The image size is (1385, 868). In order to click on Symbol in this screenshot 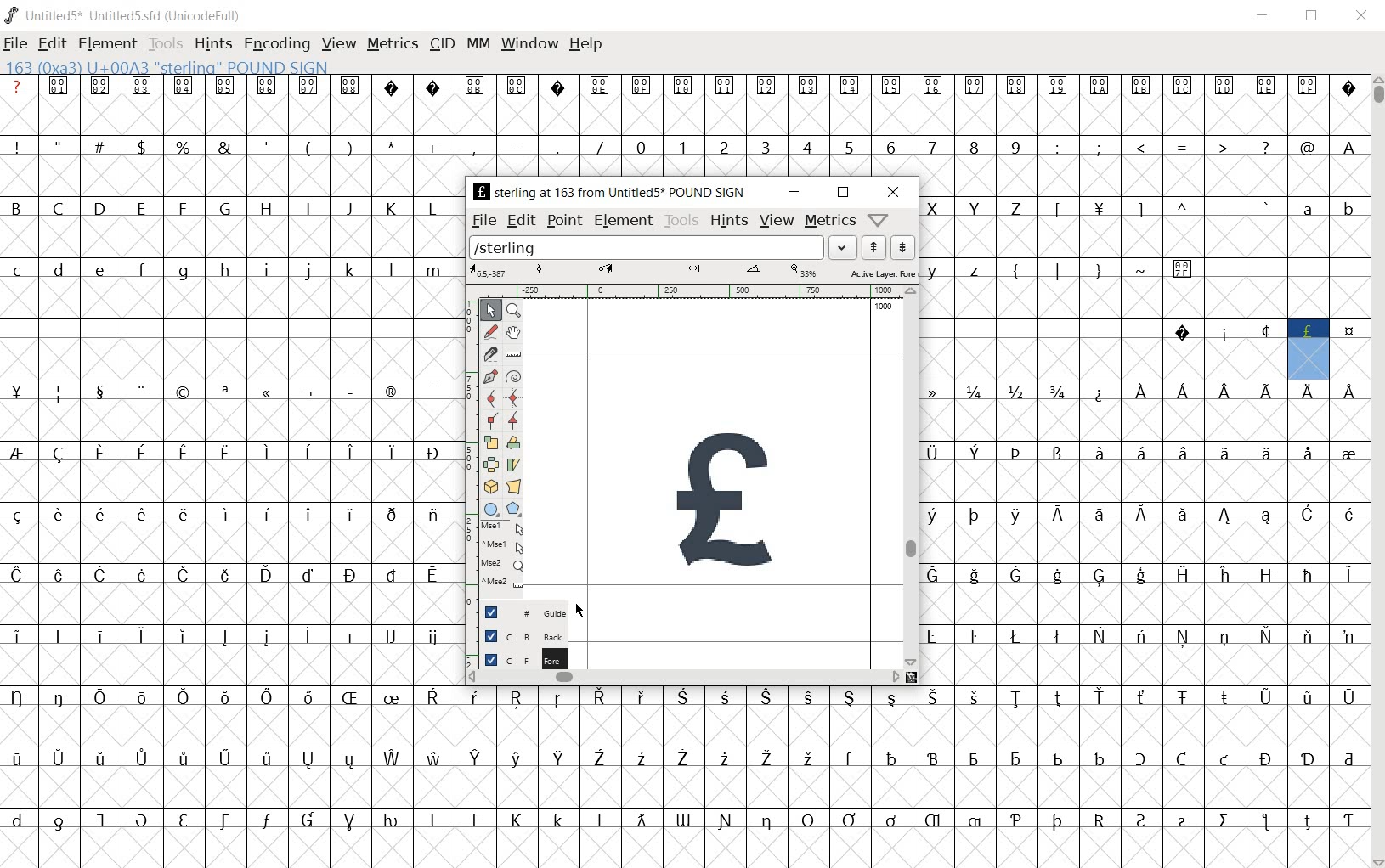, I will do `click(349, 822)`.